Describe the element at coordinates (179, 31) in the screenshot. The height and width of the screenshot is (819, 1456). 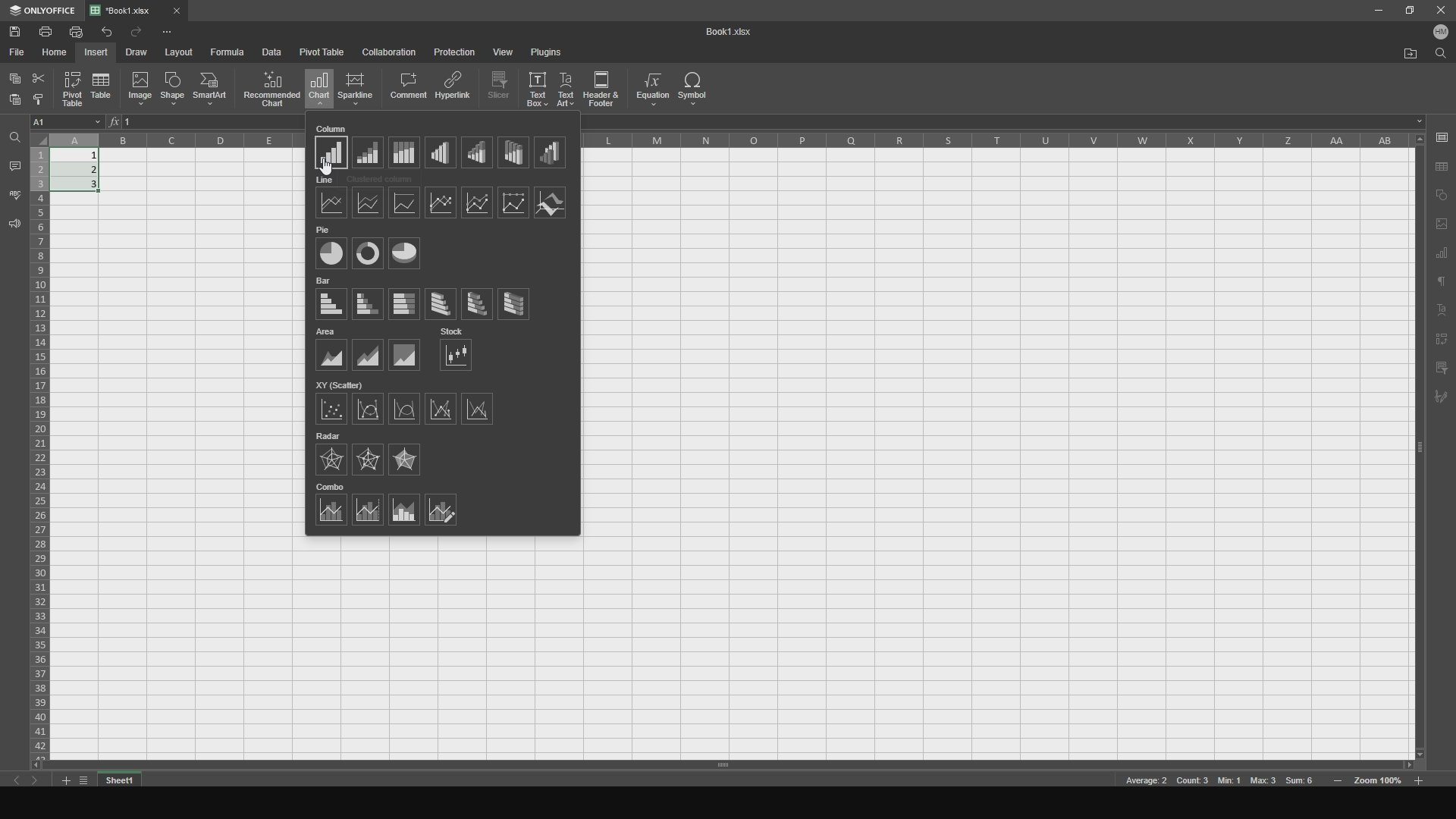
I see `options` at that location.